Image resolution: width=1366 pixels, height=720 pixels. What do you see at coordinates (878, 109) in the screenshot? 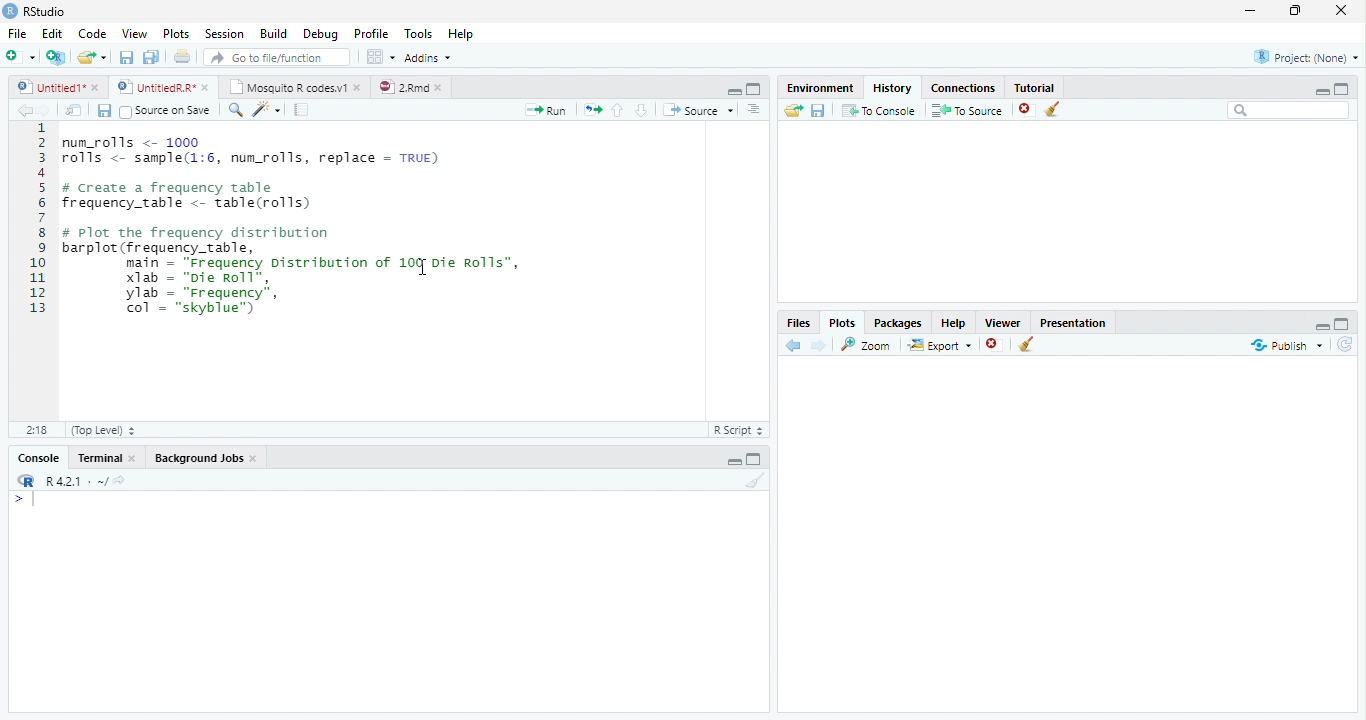
I see `T0 Console` at bounding box center [878, 109].